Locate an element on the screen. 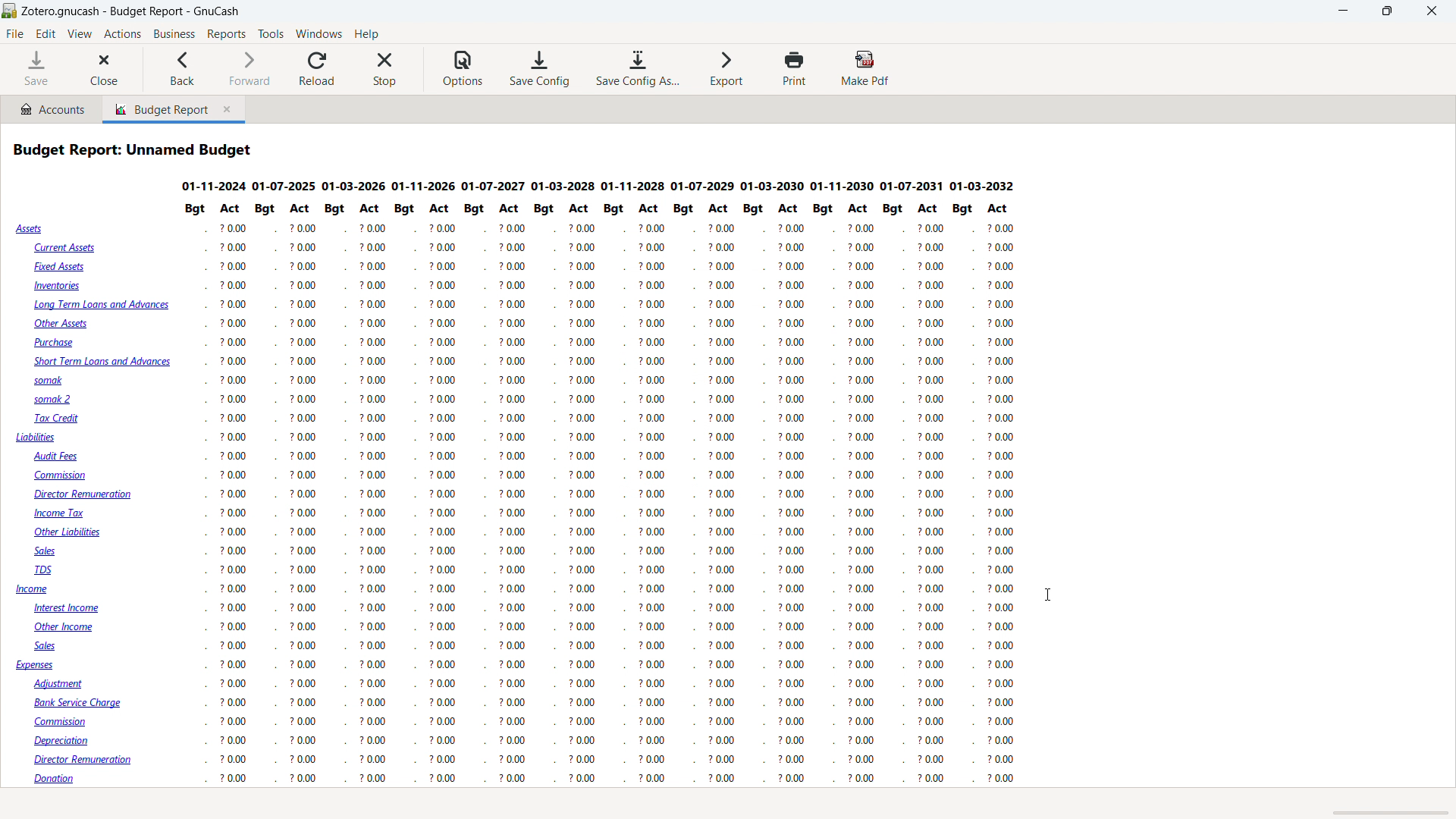  Commission is located at coordinates (64, 476).